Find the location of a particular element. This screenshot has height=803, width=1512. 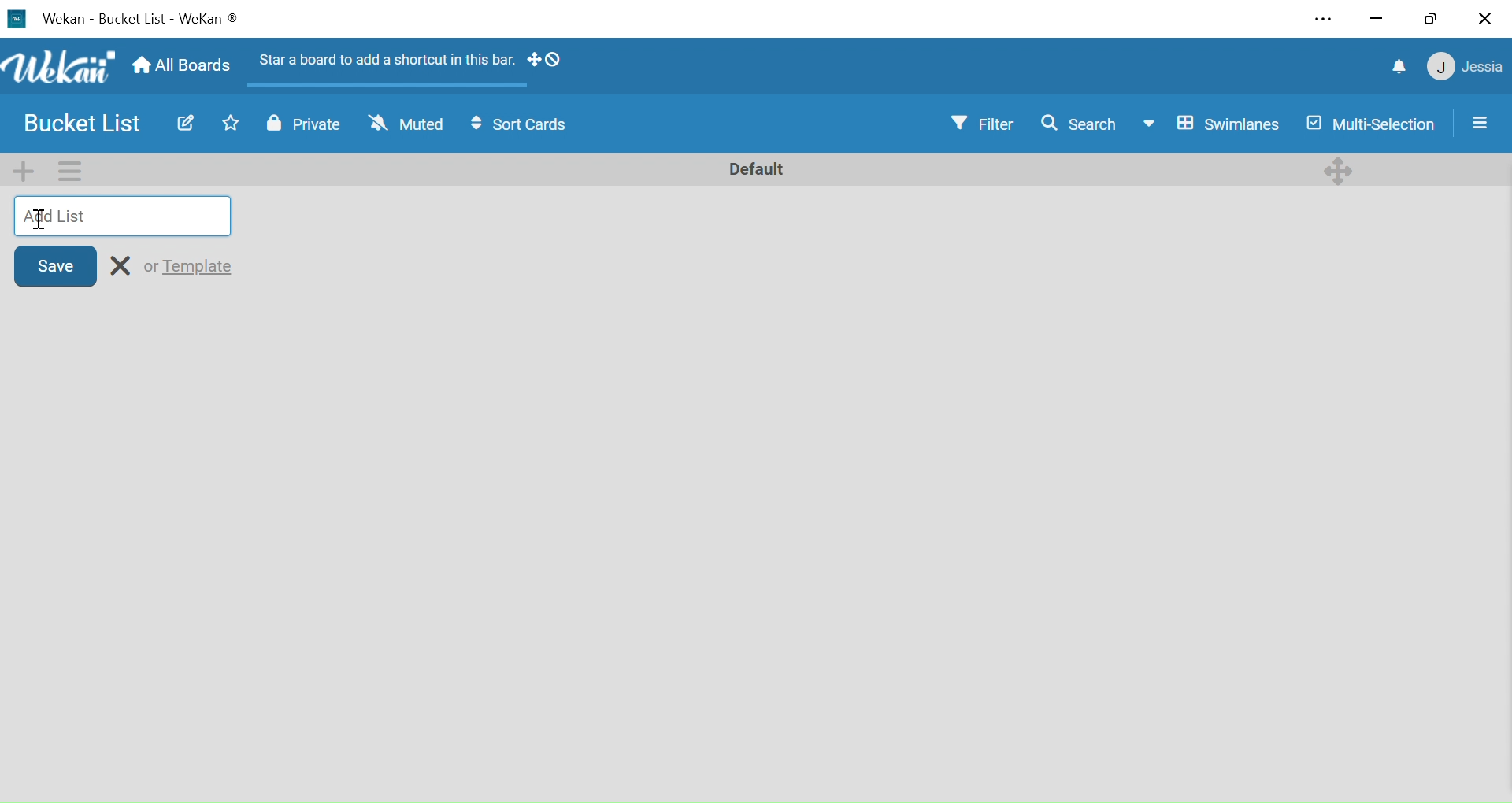

Board view is located at coordinates (1211, 124).